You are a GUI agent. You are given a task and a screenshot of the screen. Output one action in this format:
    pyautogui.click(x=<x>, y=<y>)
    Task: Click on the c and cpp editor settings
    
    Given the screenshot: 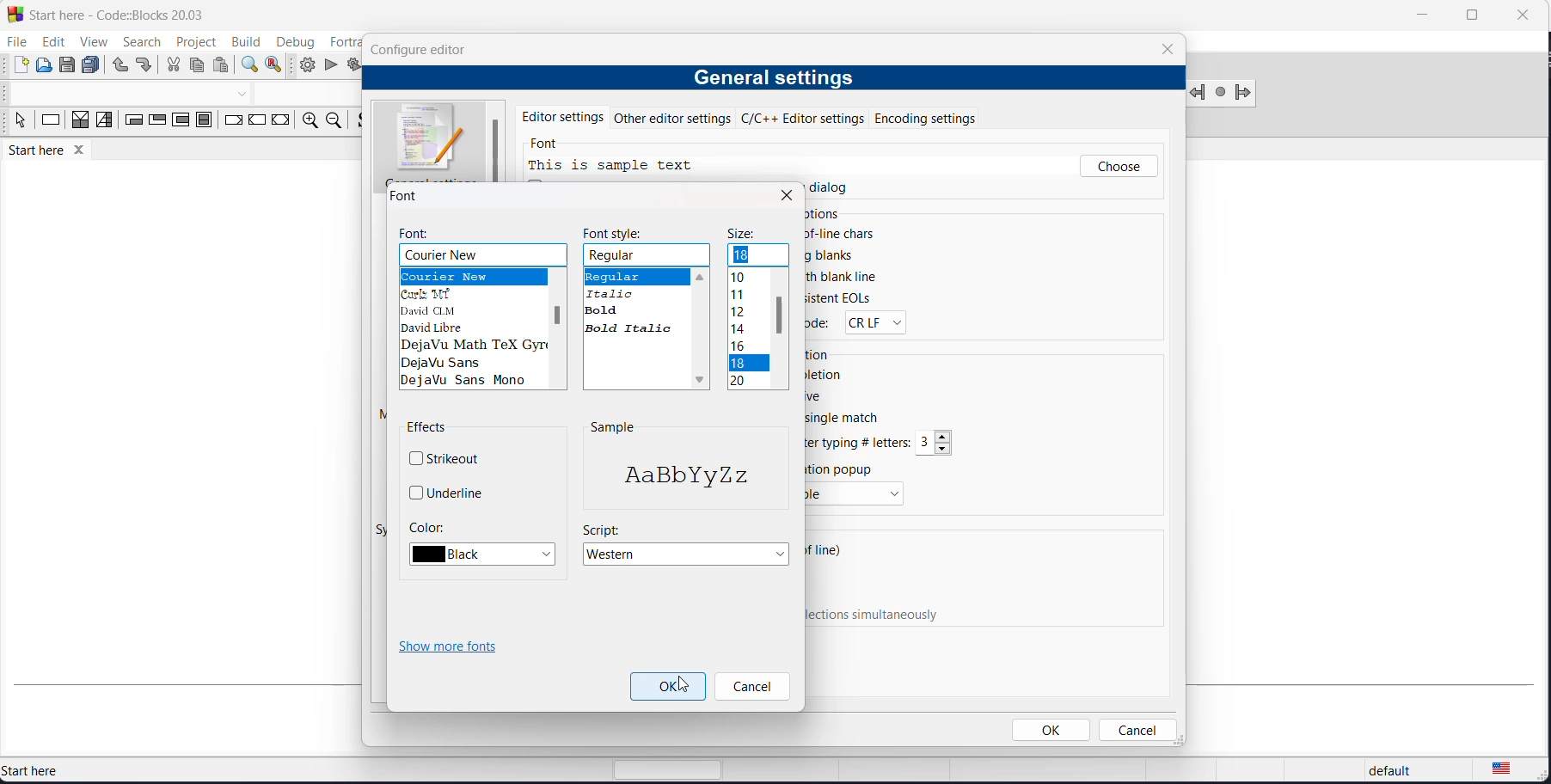 What is the action you would take?
    pyautogui.click(x=808, y=118)
    